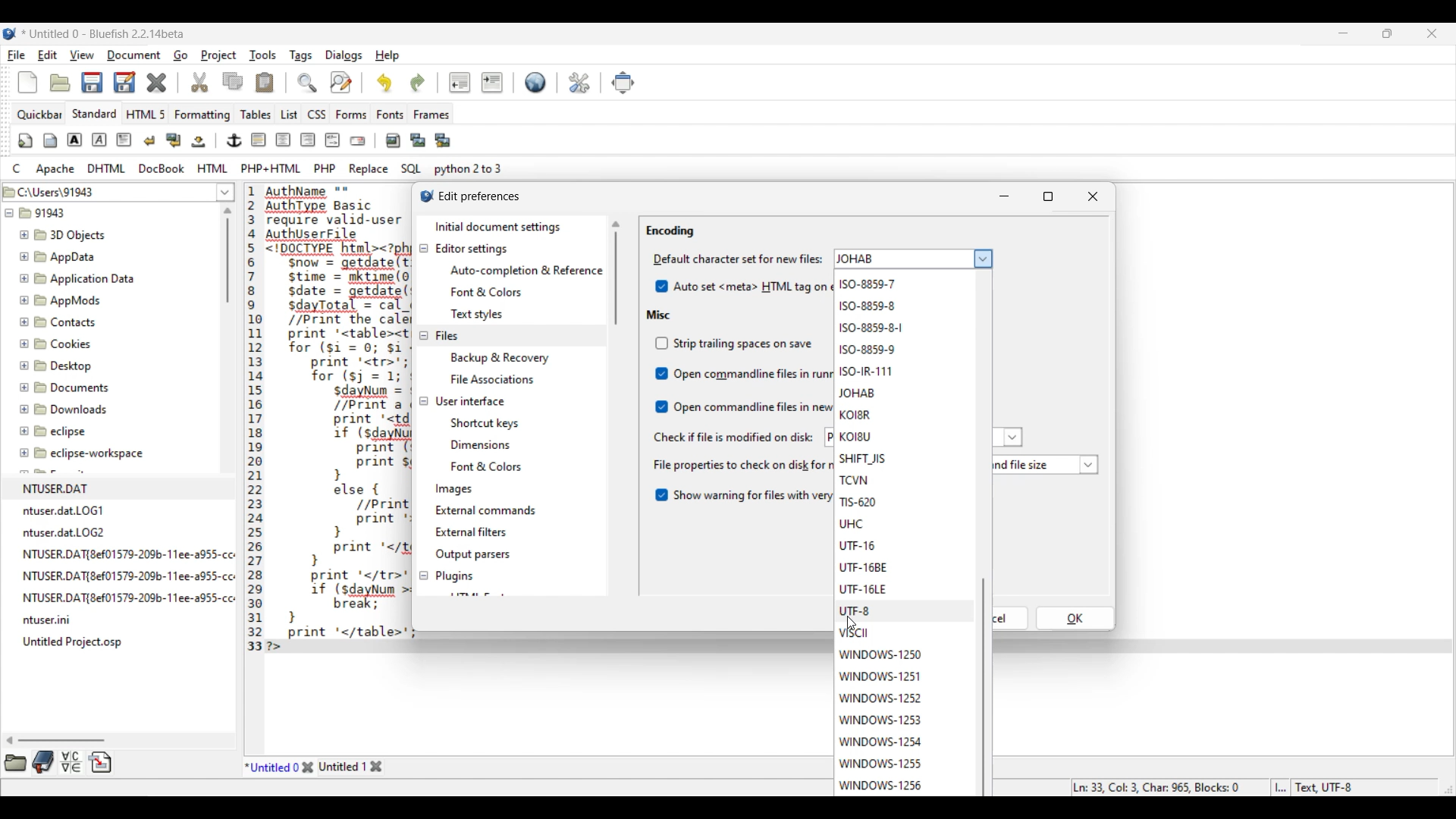  I want to click on Encoding section, so click(670, 231).